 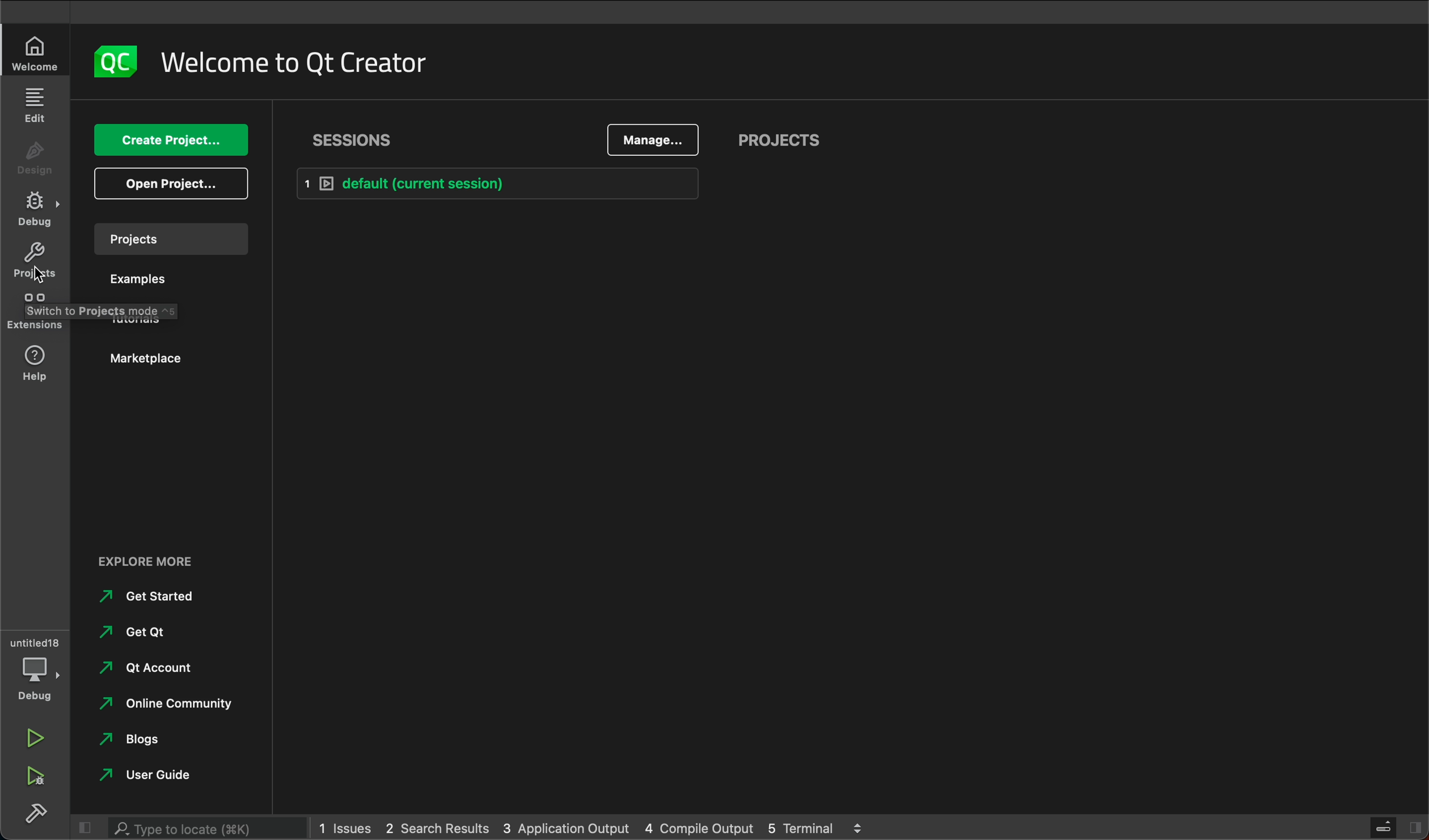 I want to click on projects, so click(x=36, y=262).